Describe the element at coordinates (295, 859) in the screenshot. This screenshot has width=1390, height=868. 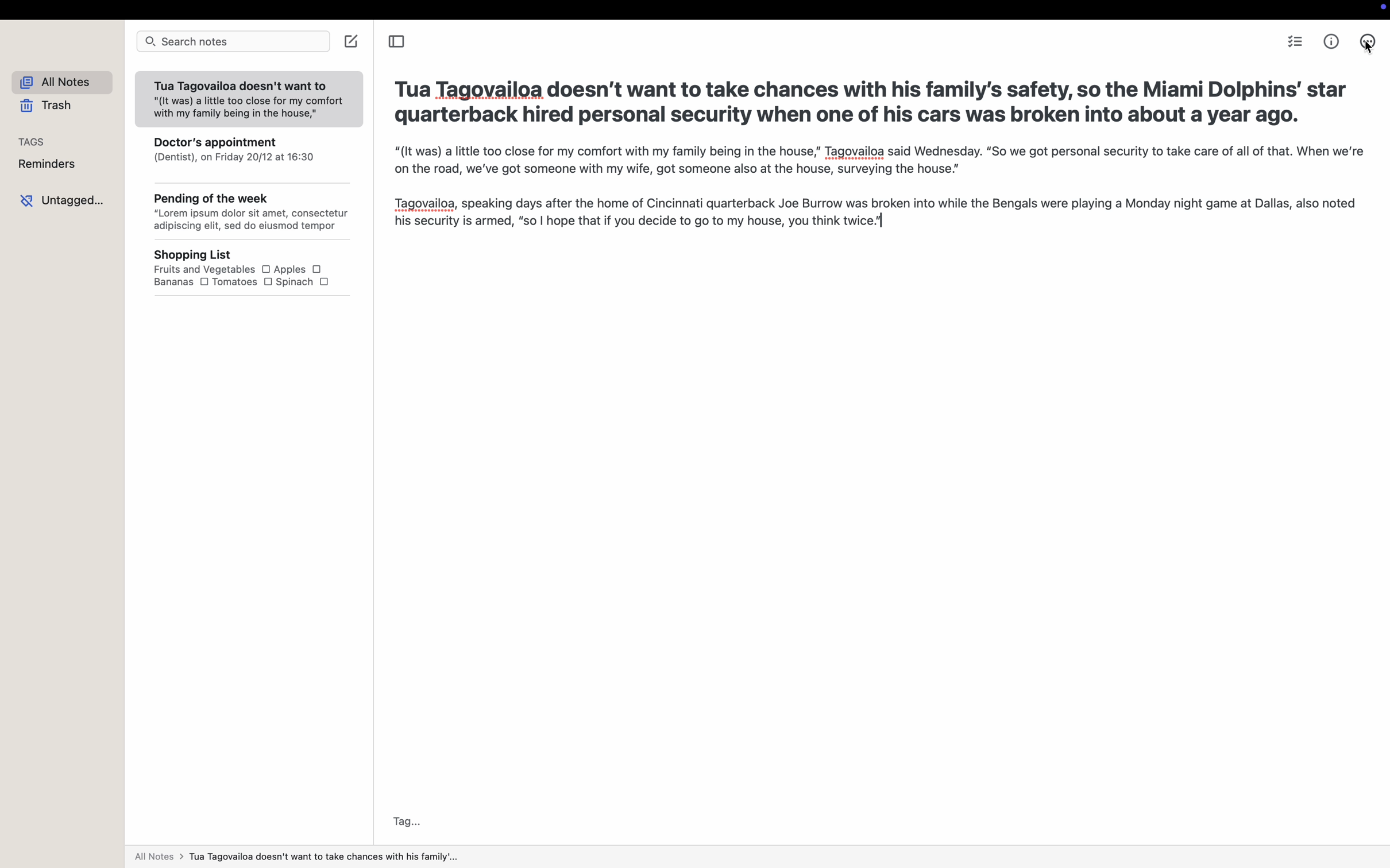
I see `all notes` at that location.